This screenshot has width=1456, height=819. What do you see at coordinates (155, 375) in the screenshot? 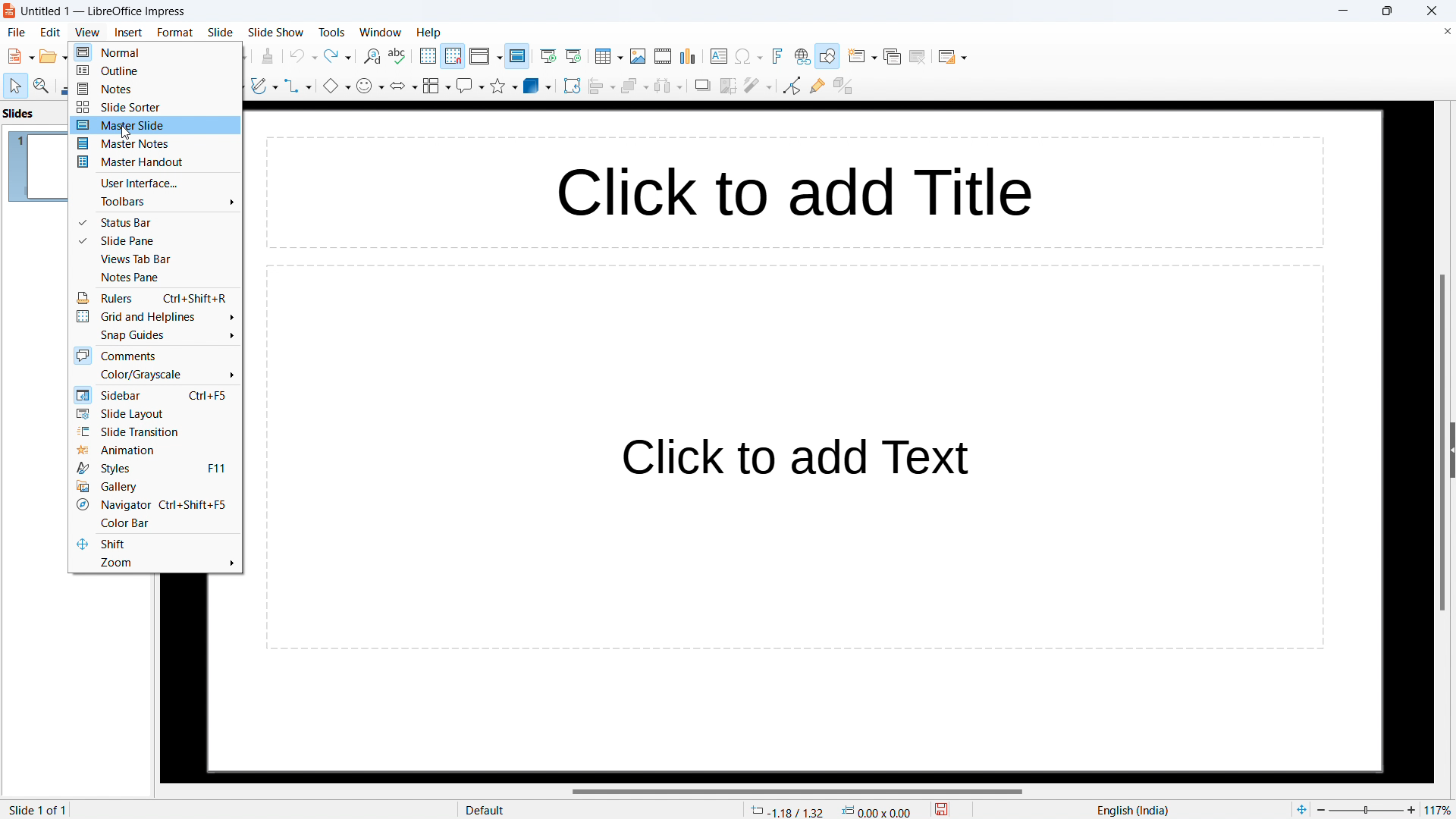
I see `color/grayscale` at bounding box center [155, 375].